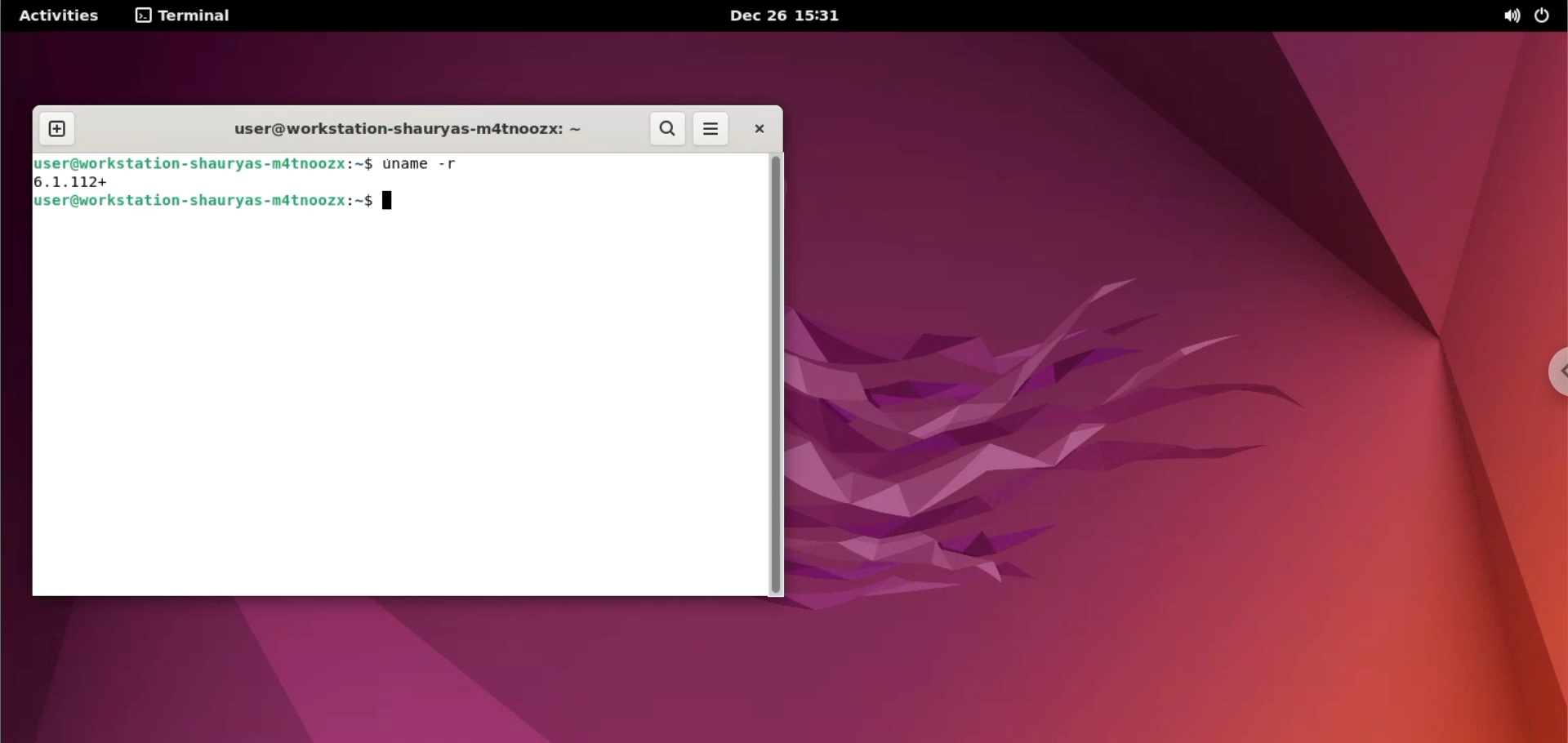  I want to click on chrome options, so click(1553, 370).